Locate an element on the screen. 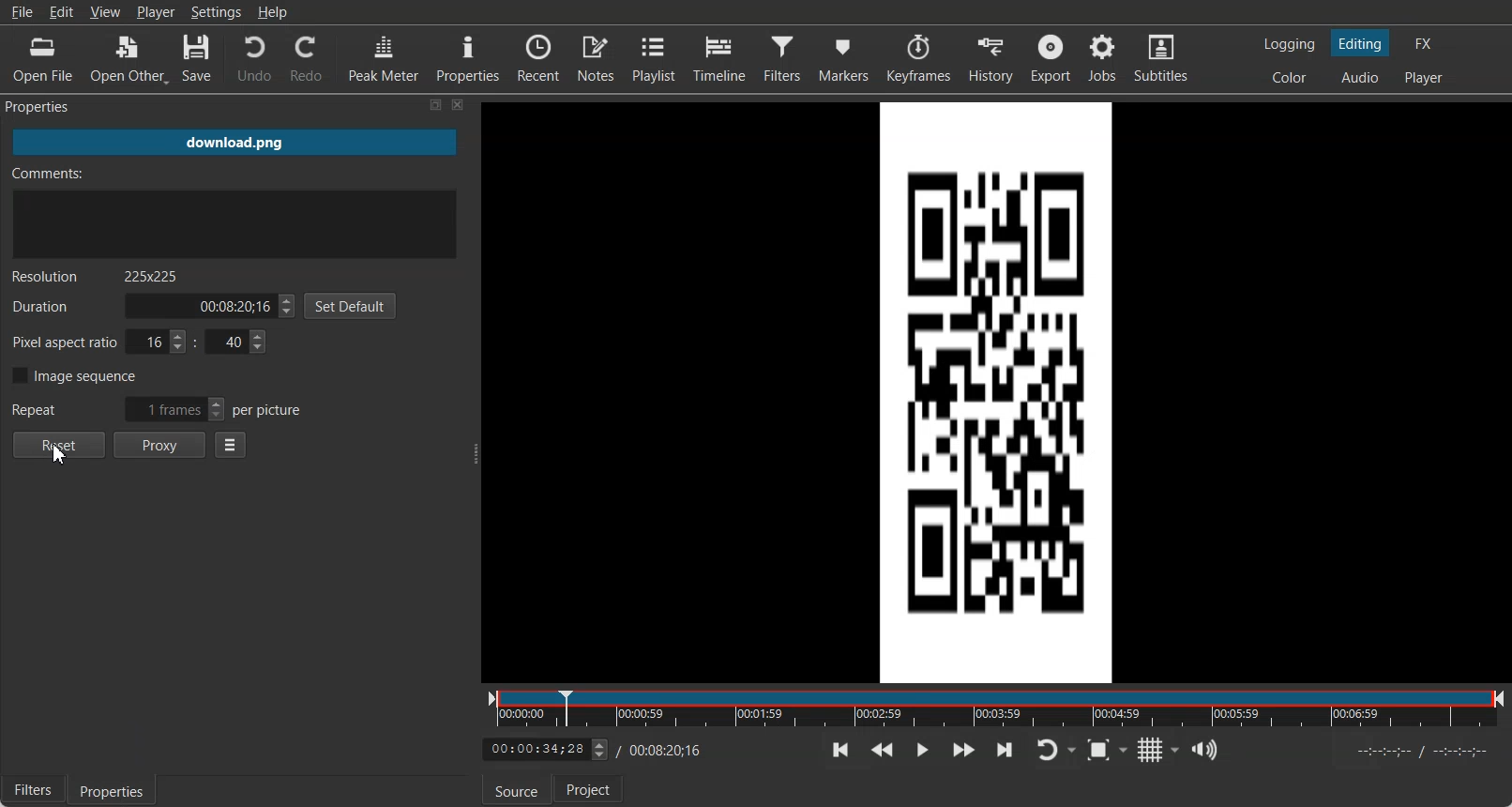  Toggle player looping is located at coordinates (1055, 750).